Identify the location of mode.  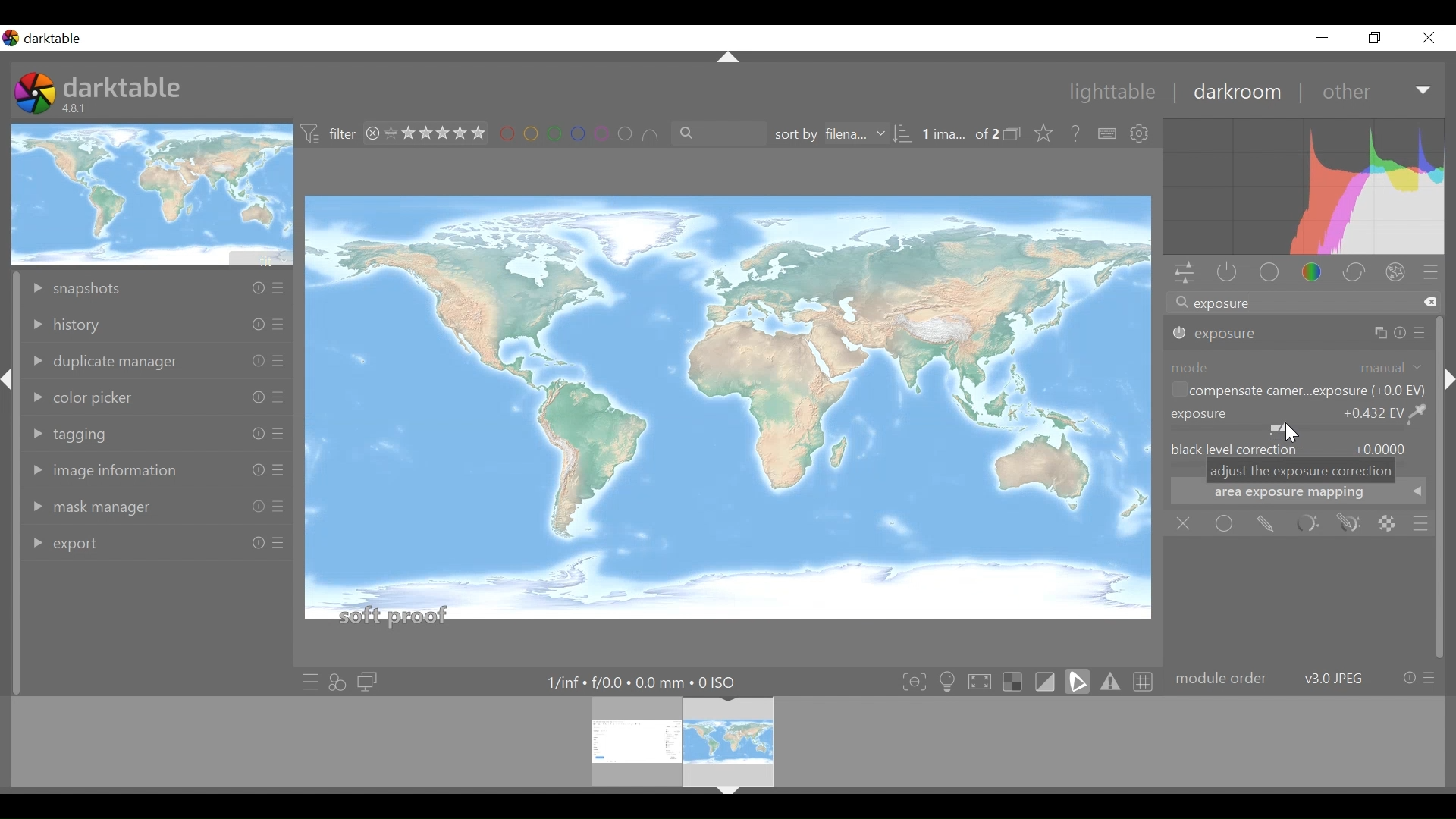
(1298, 366).